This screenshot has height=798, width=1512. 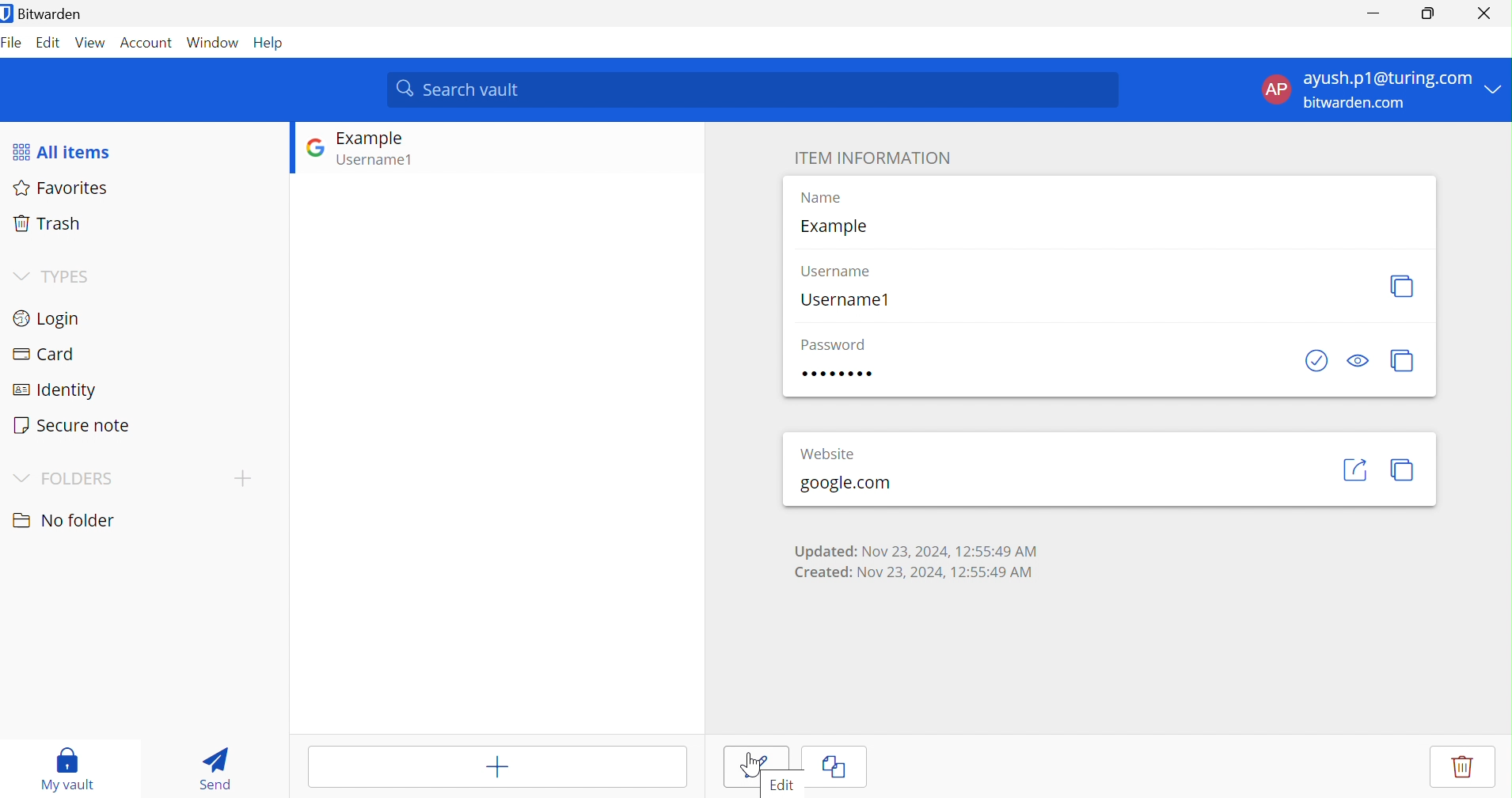 What do you see at coordinates (20, 273) in the screenshot?
I see `Drop Down` at bounding box center [20, 273].